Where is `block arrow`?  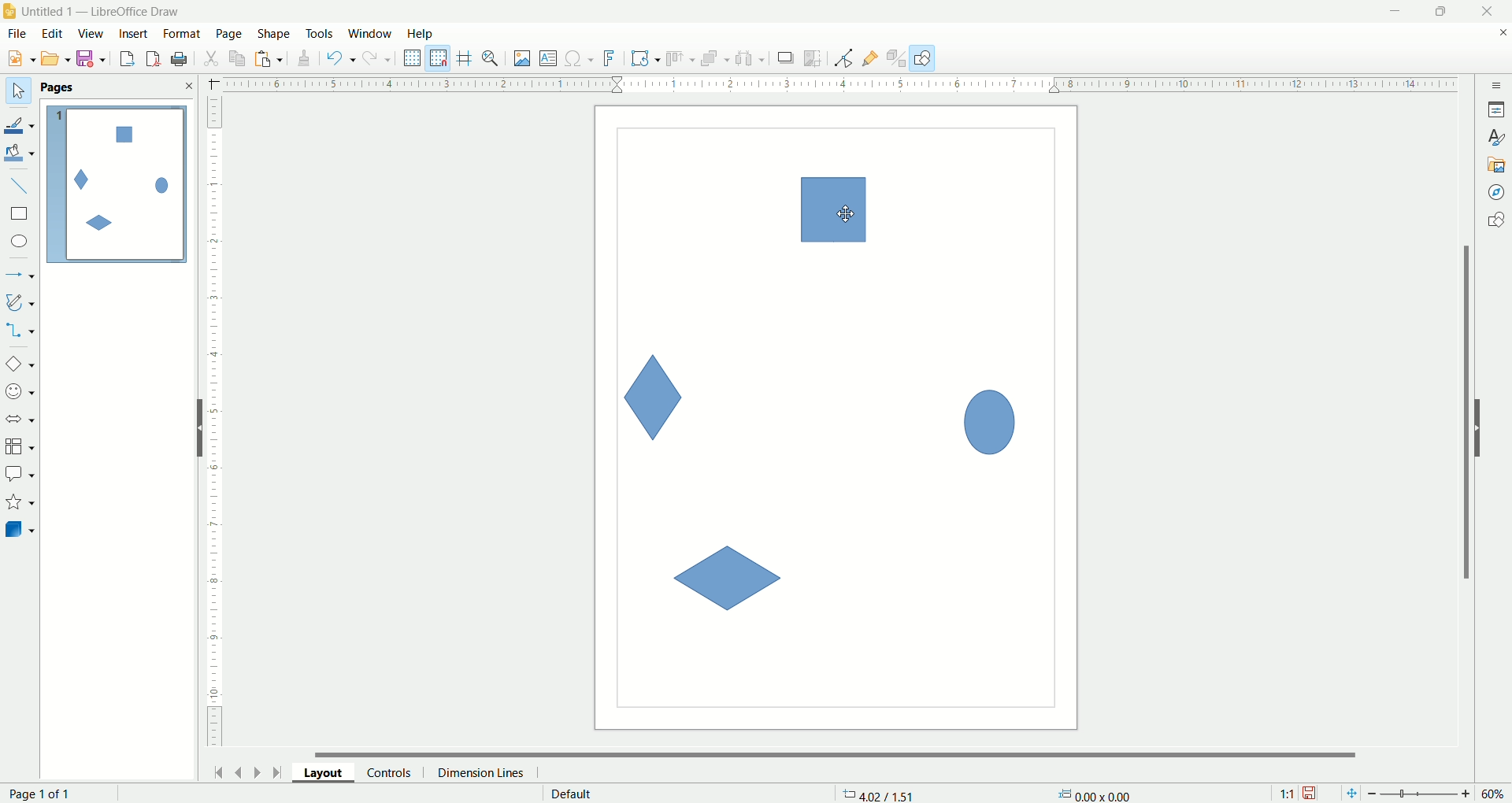 block arrow is located at coordinates (23, 420).